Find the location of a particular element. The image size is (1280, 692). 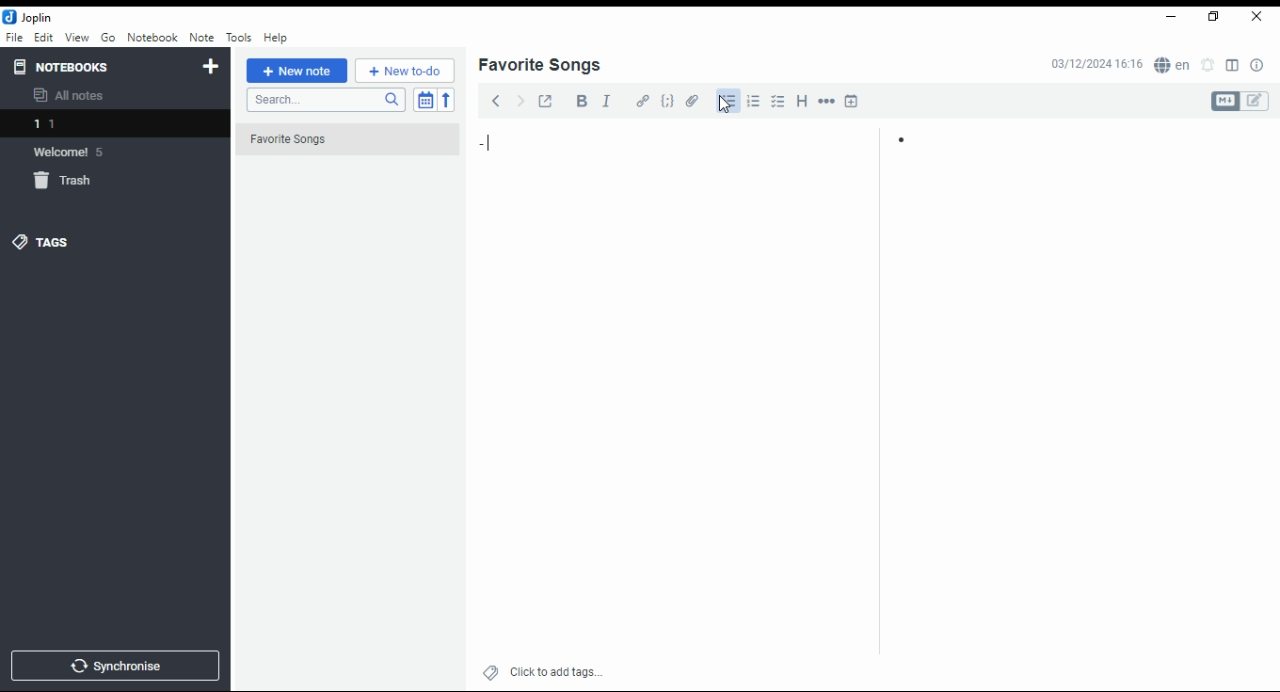

click to add tags is located at coordinates (556, 669).